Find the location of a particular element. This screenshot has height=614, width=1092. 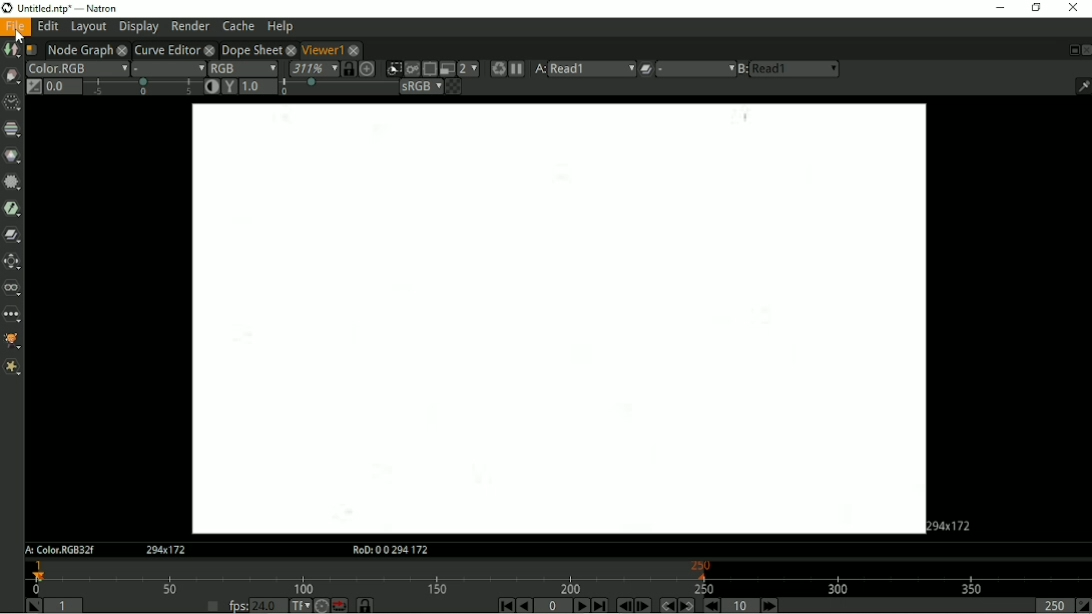

Cache is located at coordinates (239, 26).